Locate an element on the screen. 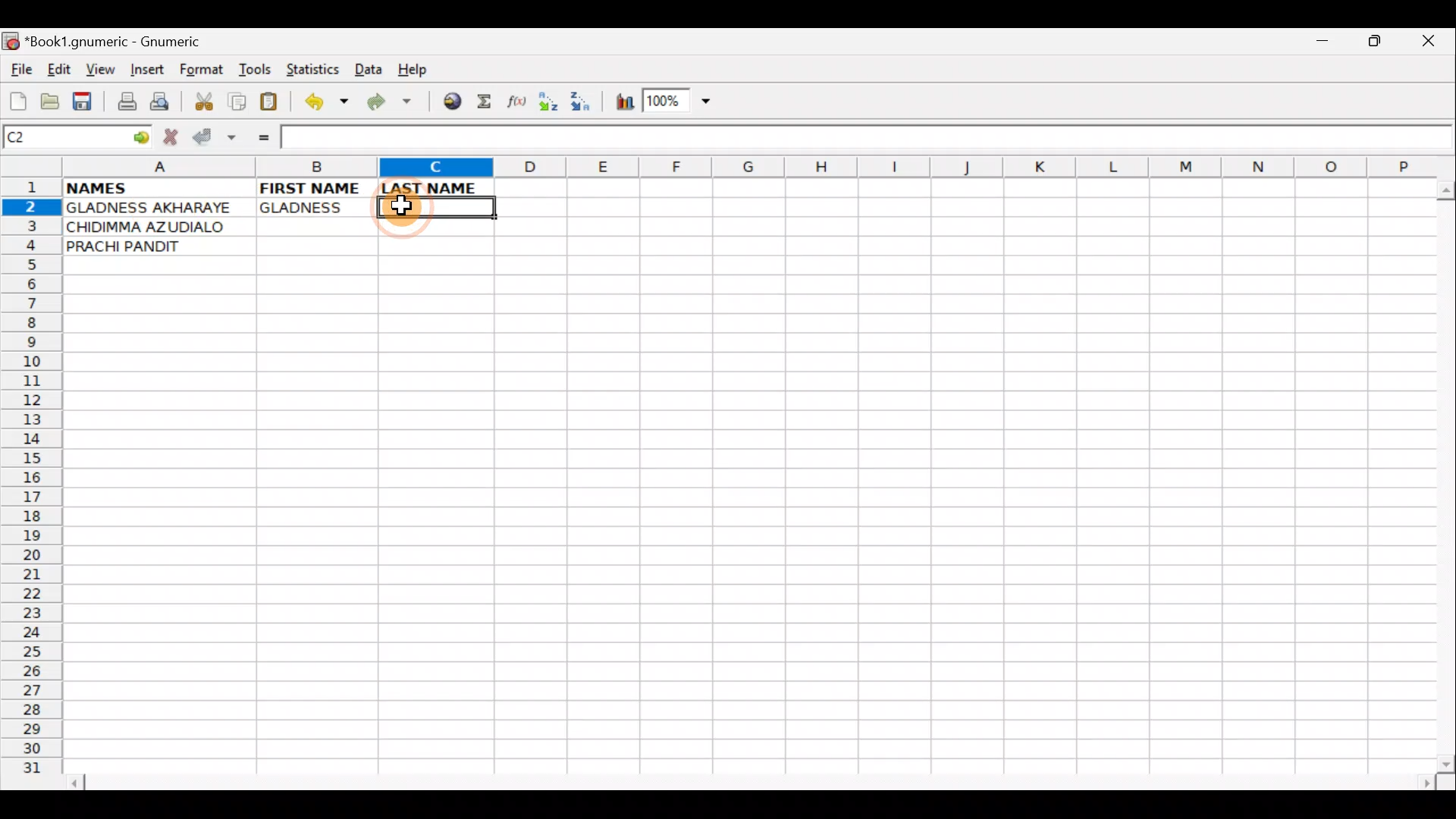 Image resolution: width=1456 pixels, height=819 pixels. Open a file is located at coordinates (53, 99).